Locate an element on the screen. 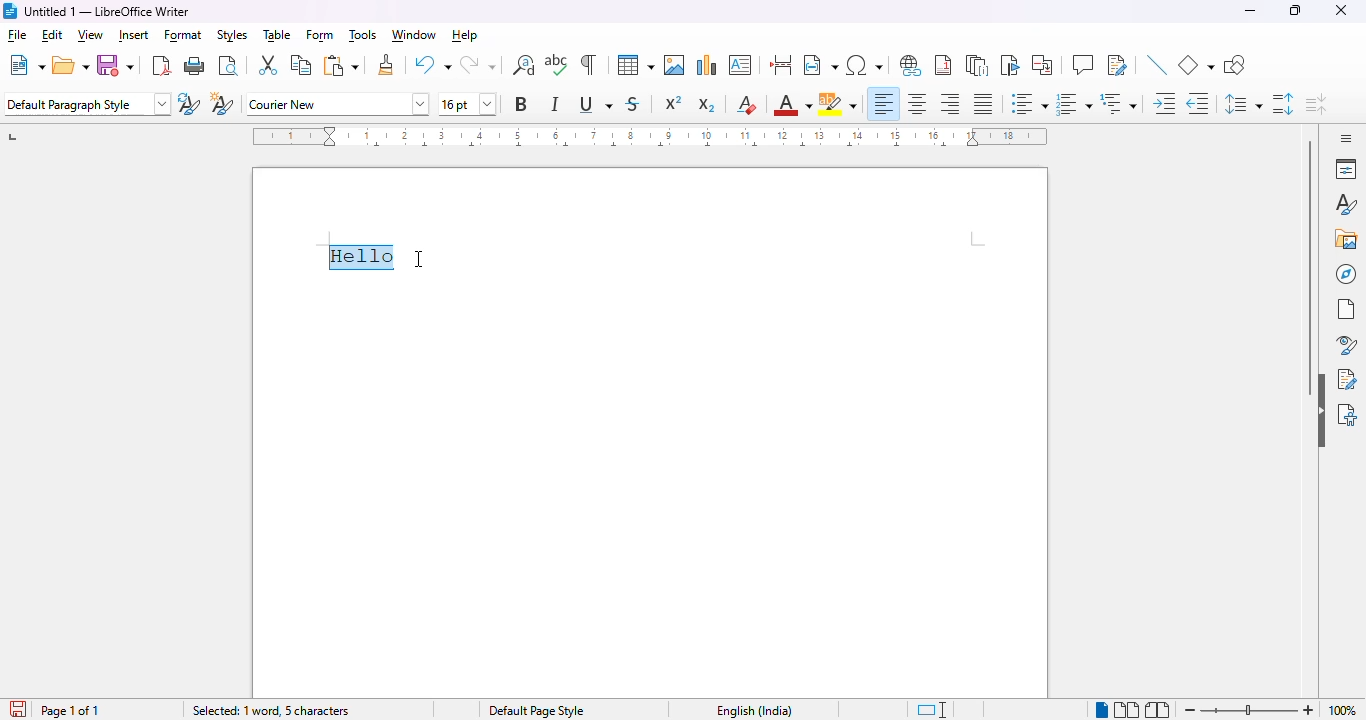 Image resolution: width=1366 pixels, height=720 pixels. styles is located at coordinates (231, 35).